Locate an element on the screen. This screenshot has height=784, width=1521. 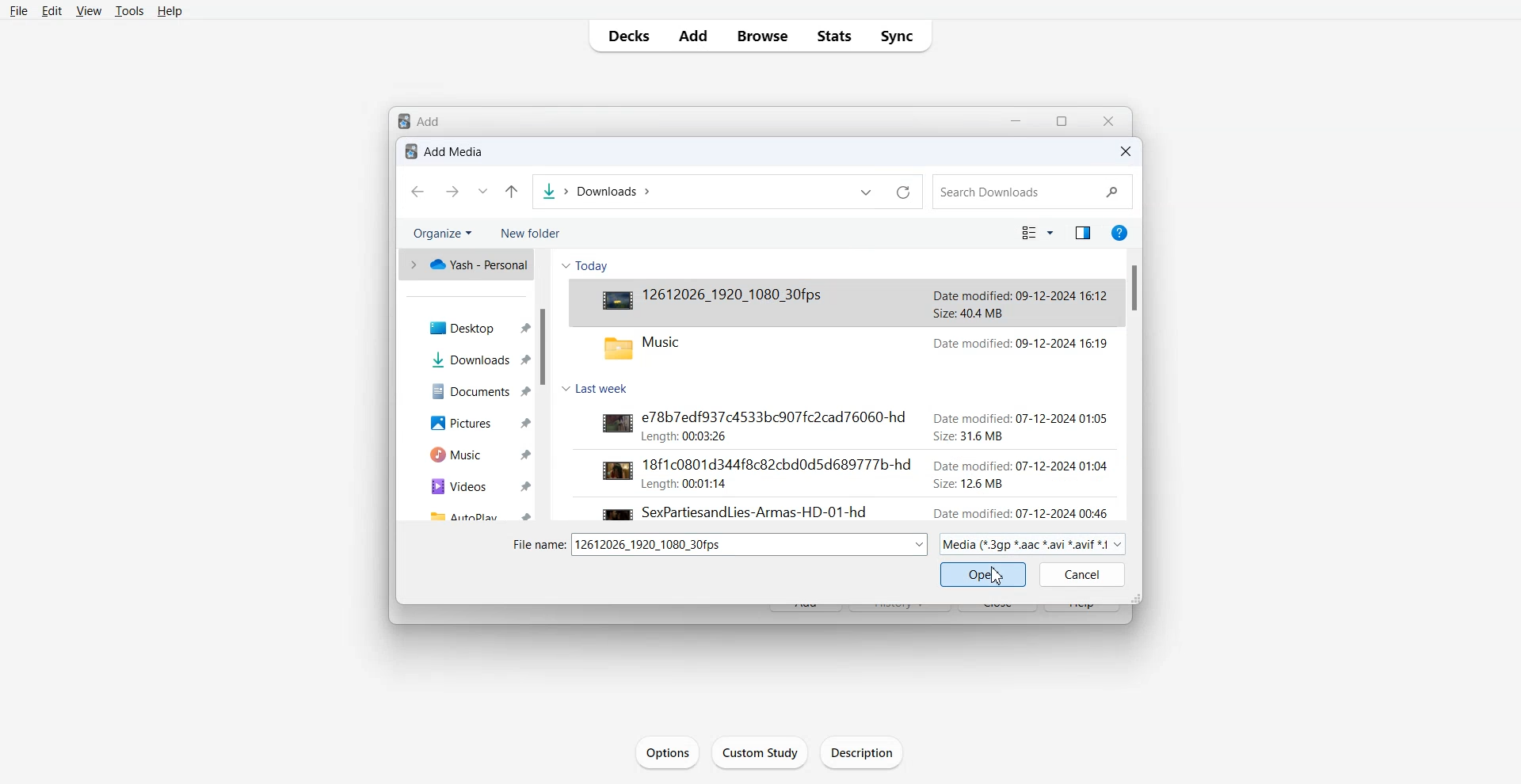
Stats is located at coordinates (832, 36).